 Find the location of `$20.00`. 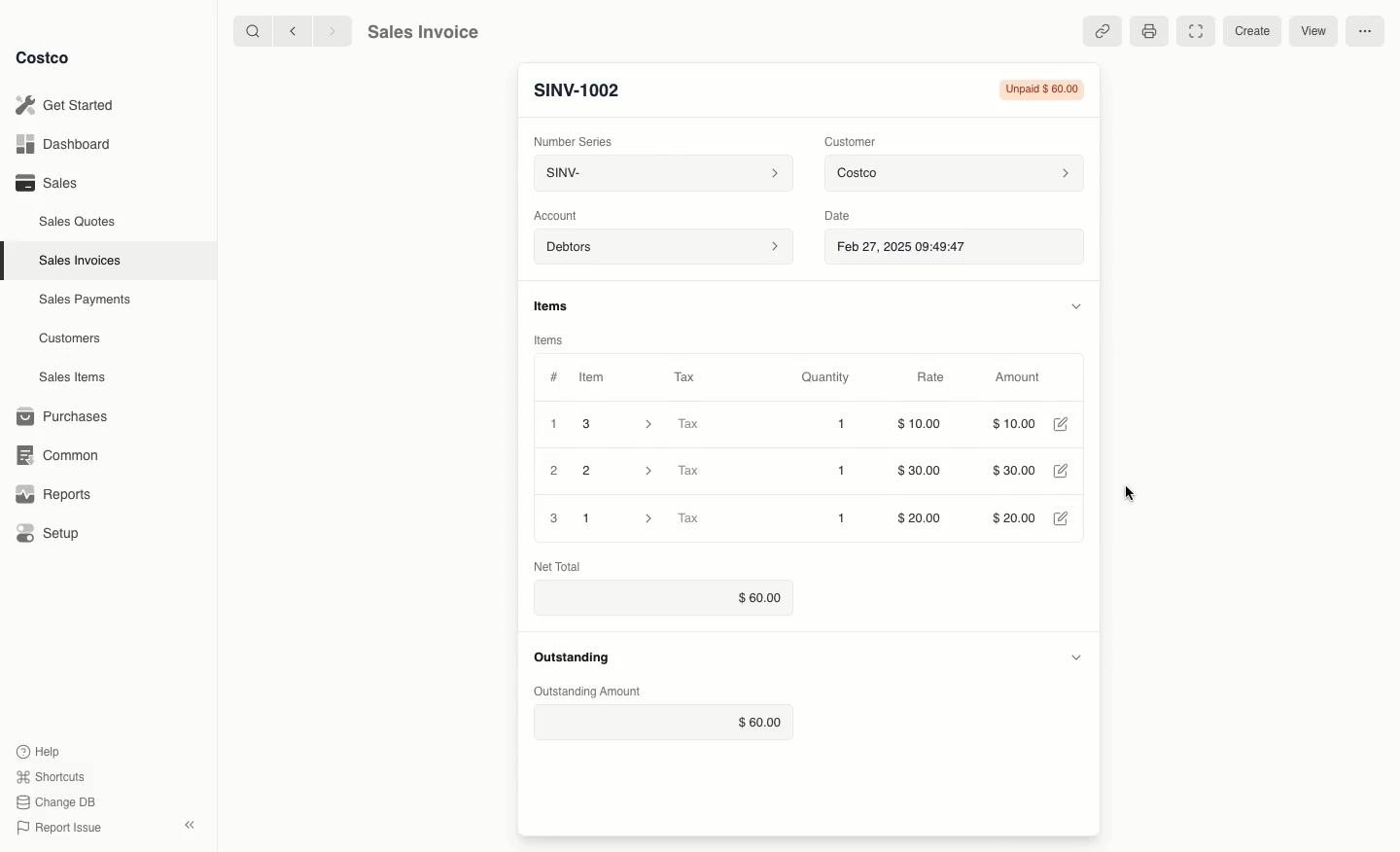

$20.00 is located at coordinates (915, 518).